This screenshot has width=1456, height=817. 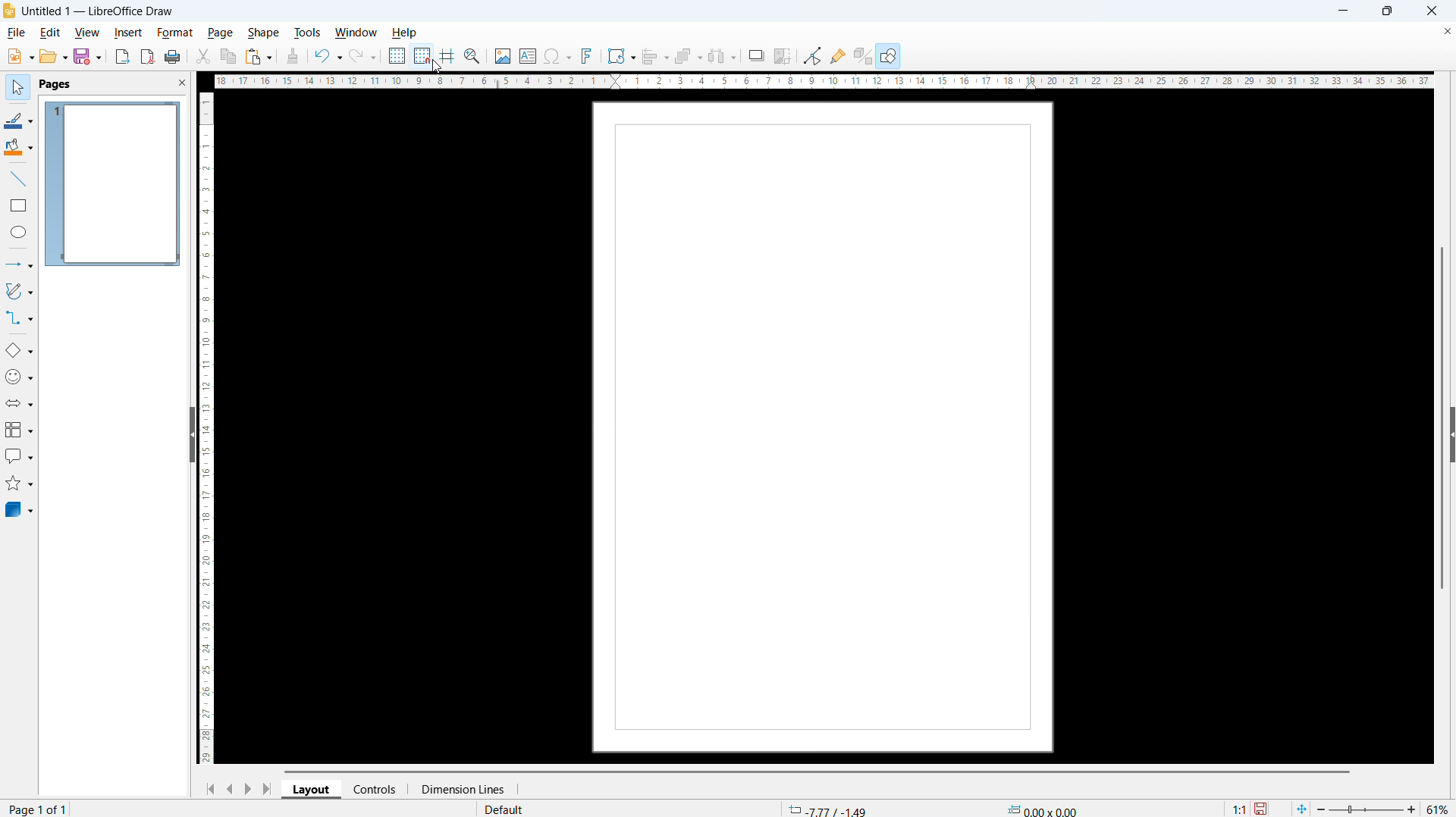 What do you see at coordinates (863, 55) in the screenshot?
I see `Toggle extrusion ` at bounding box center [863, 55].